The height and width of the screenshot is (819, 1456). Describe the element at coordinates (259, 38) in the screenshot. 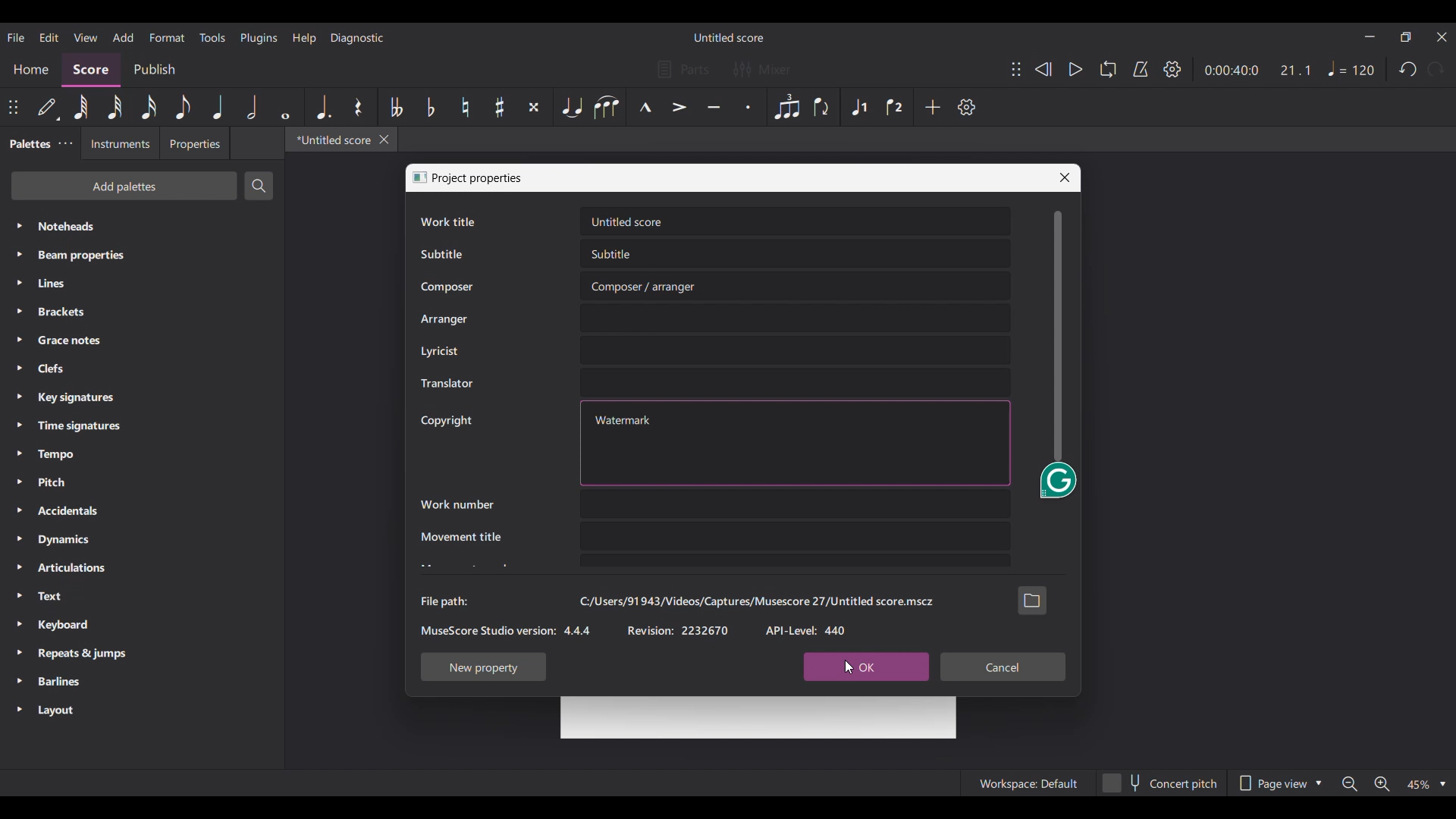

I see `Plugins menu` at that location.